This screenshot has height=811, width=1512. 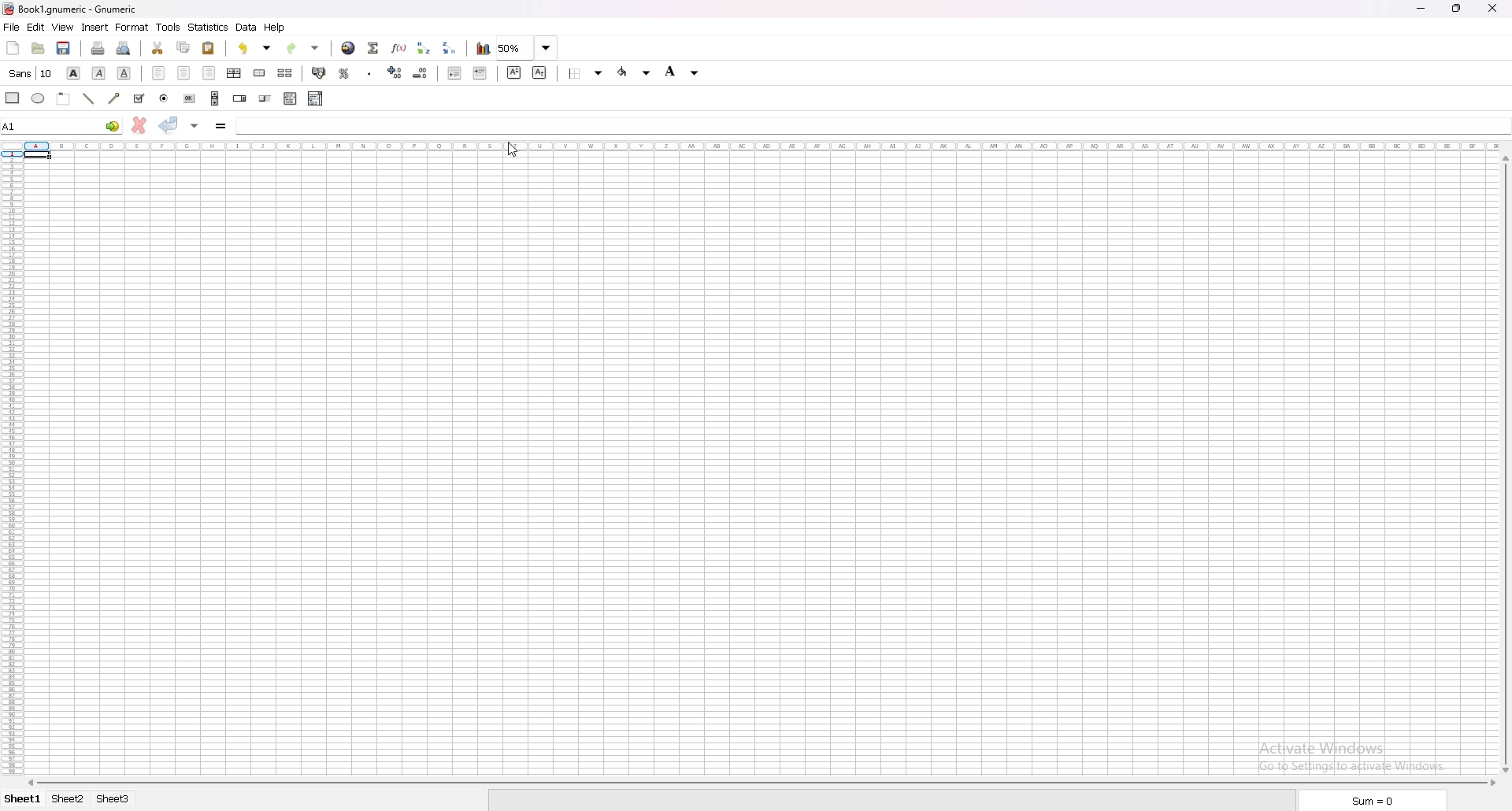 What do you see at coordinates (165, 99) in the screenshot?
I see `radio button` at bounding box center [165, 99].